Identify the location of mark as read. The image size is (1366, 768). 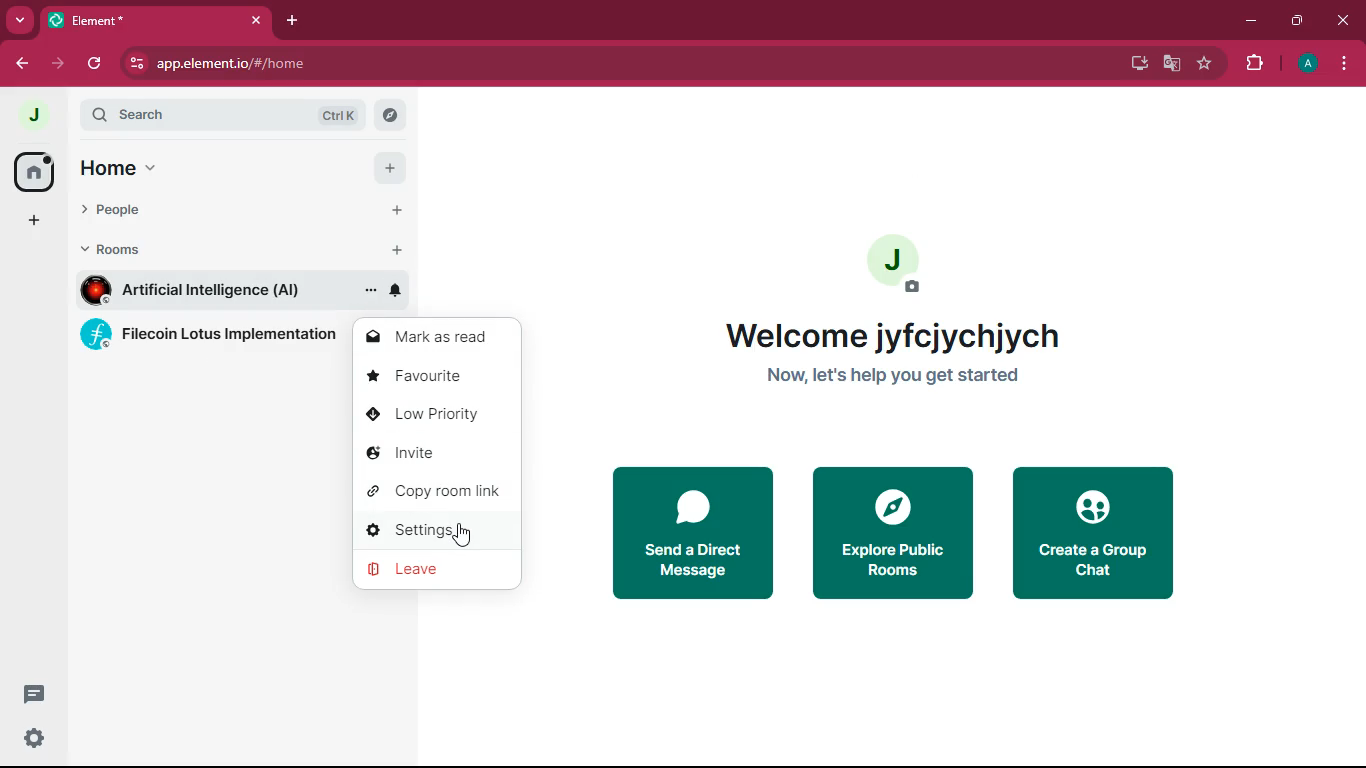
(436, 338).